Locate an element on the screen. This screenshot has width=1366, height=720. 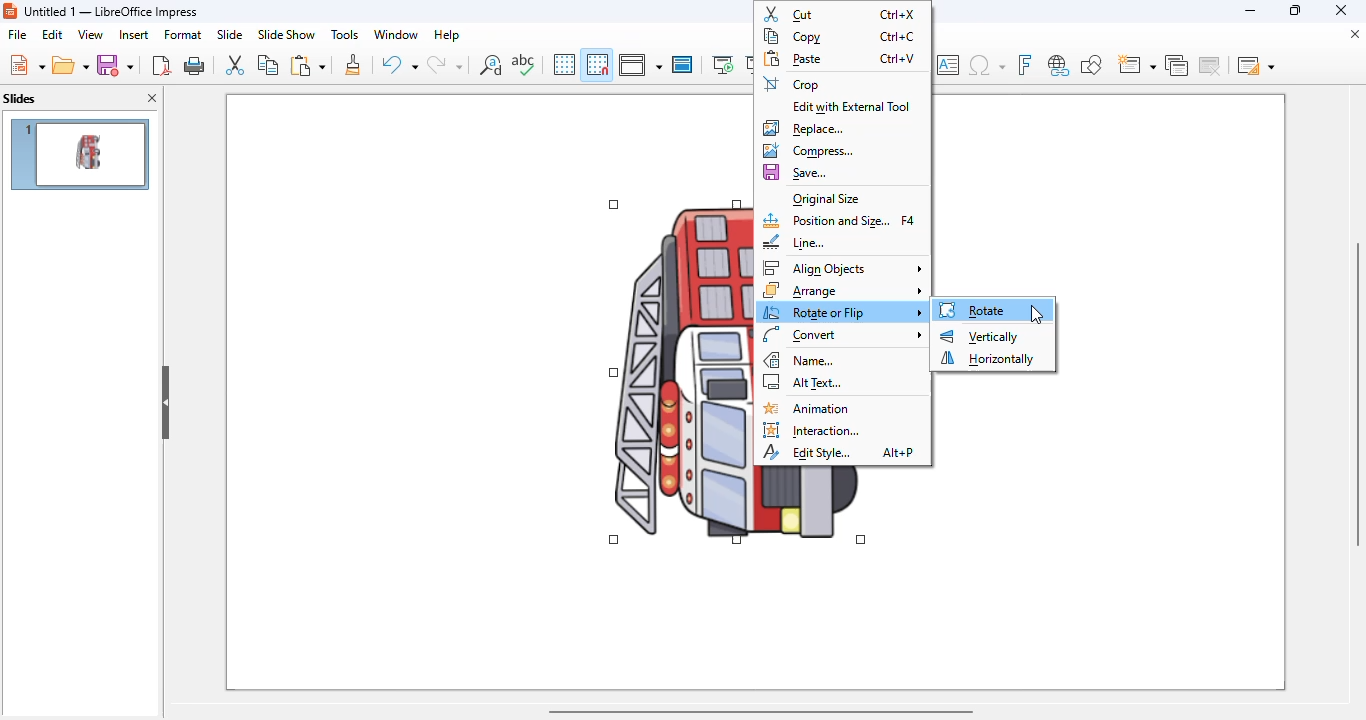
file is located at coordinates (18, 34).